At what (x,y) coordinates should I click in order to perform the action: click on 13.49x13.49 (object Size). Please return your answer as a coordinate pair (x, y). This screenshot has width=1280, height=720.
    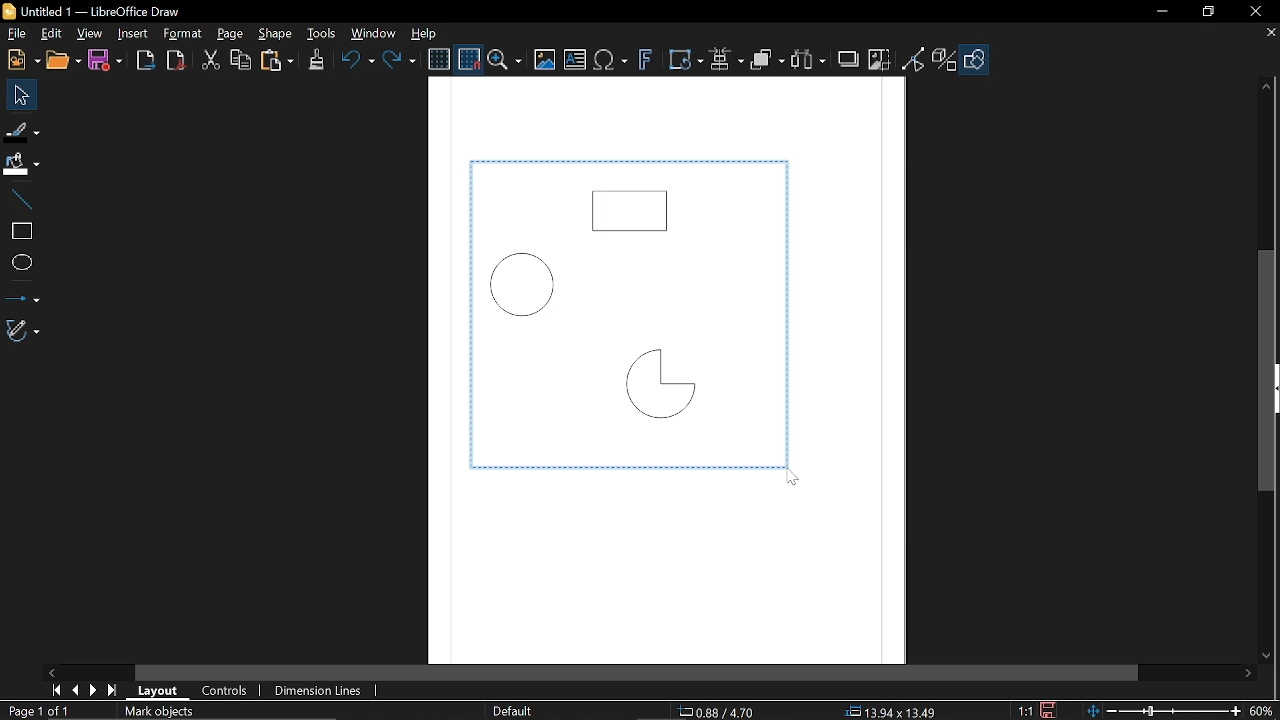
    Looking at the image, I should click on (890, 711).